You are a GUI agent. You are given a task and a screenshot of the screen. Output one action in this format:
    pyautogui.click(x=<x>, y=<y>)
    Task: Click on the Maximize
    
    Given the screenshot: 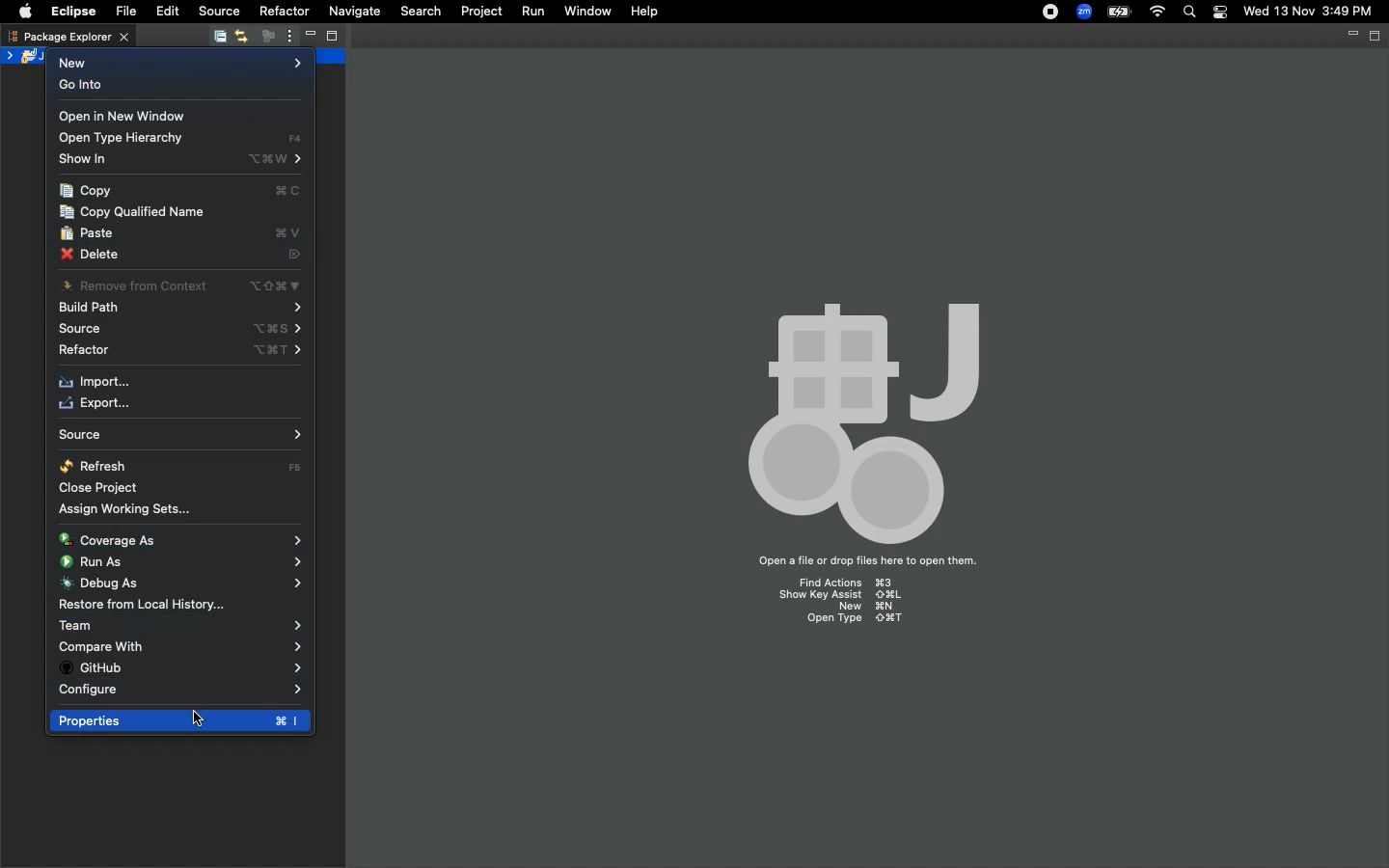 What is the action you would take?
    pyautogui.click(x=338, y=38)
    